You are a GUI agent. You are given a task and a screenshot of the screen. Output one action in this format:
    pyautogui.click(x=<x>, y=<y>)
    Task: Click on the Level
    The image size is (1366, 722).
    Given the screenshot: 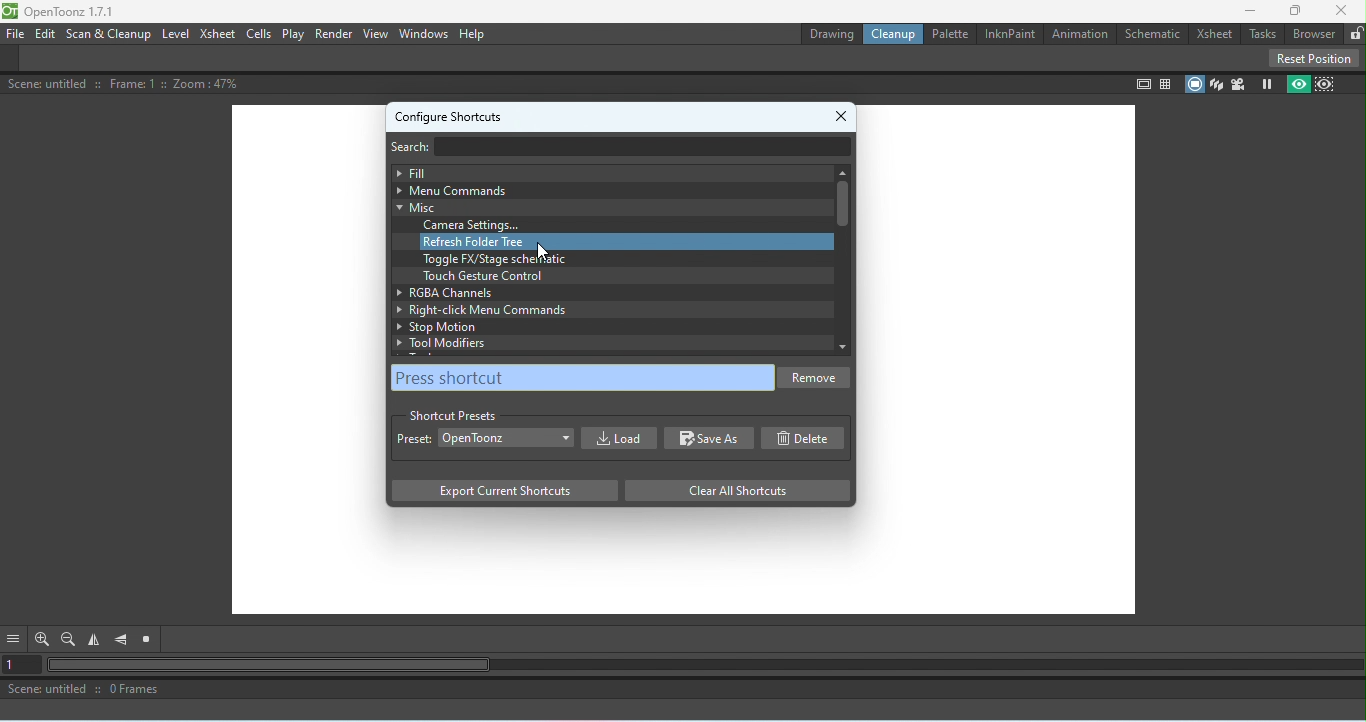 What is the action you would take?
    pyautogui.click(x=176, y=34)
    